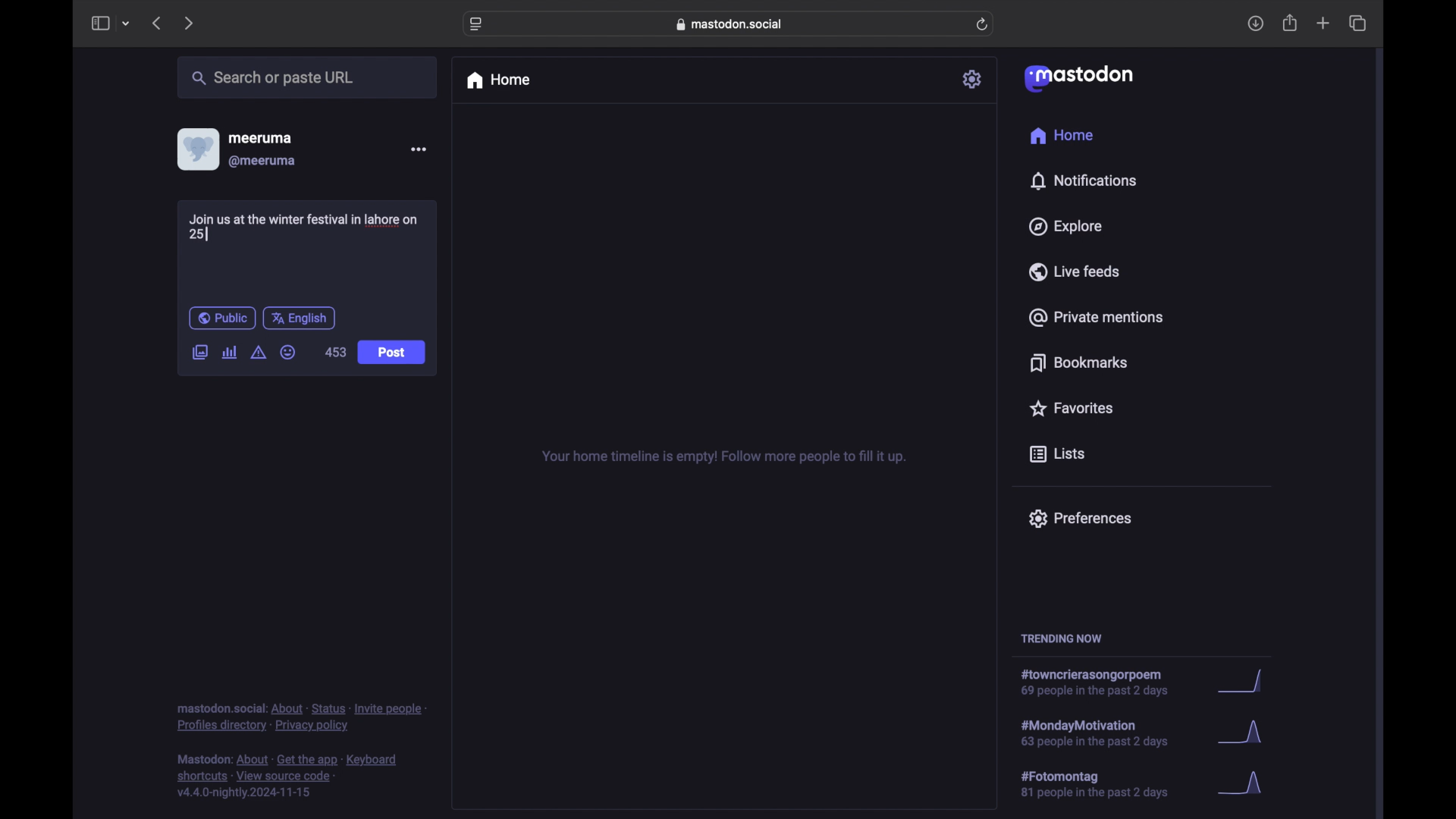  Describe the element at coordinates (262, 162) in the screenshot. I see `@meeruma` at that location.